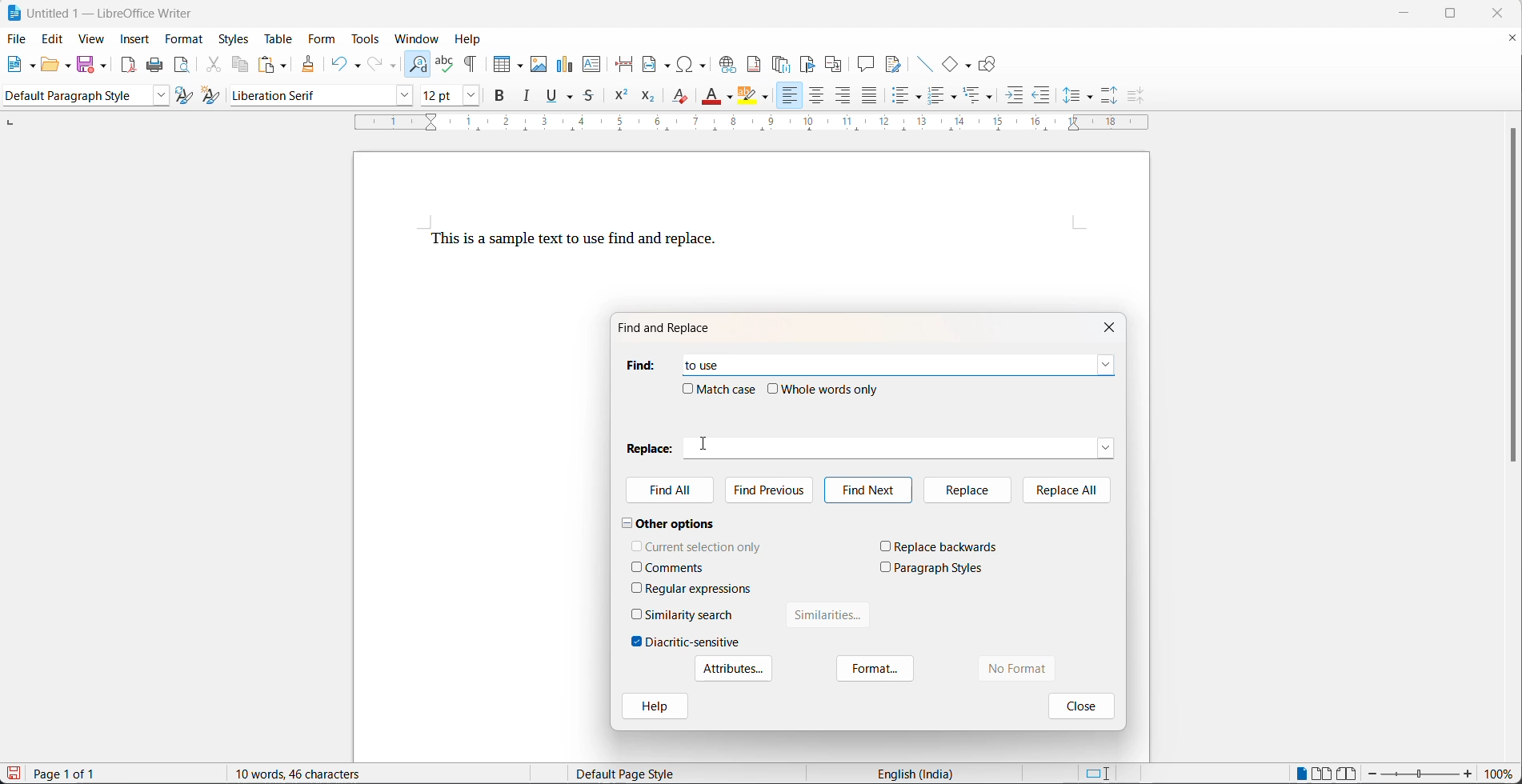 The height and width of the screenshot is (784, 1522). What do you see at coordinates (951, 64) in the screenshot?
I see `basic shapes` at bounding box center [951, 64].